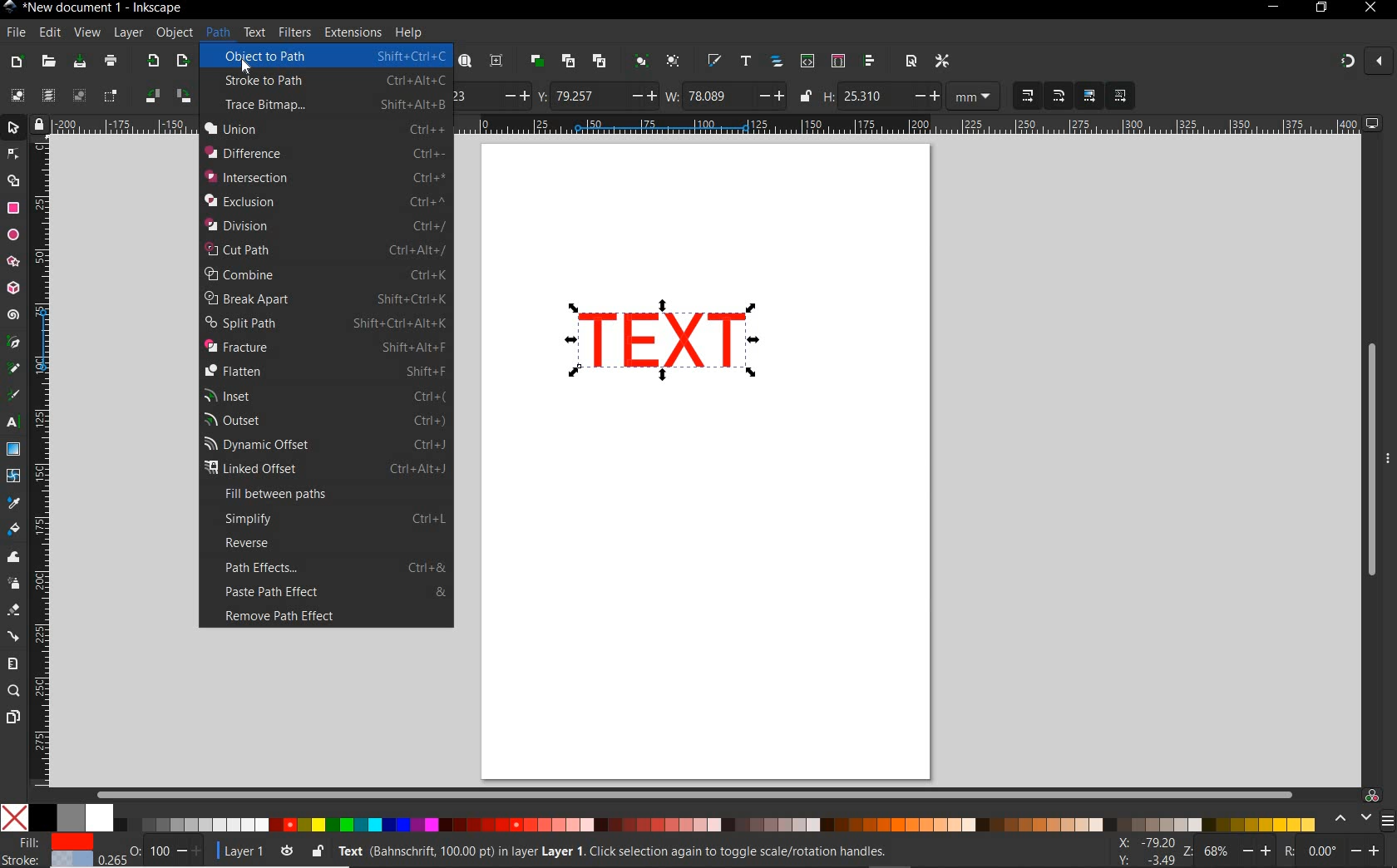  Describe the element at coordinates (15, 584) in the screenshot. I see `SPRAY TOOL` at that location.